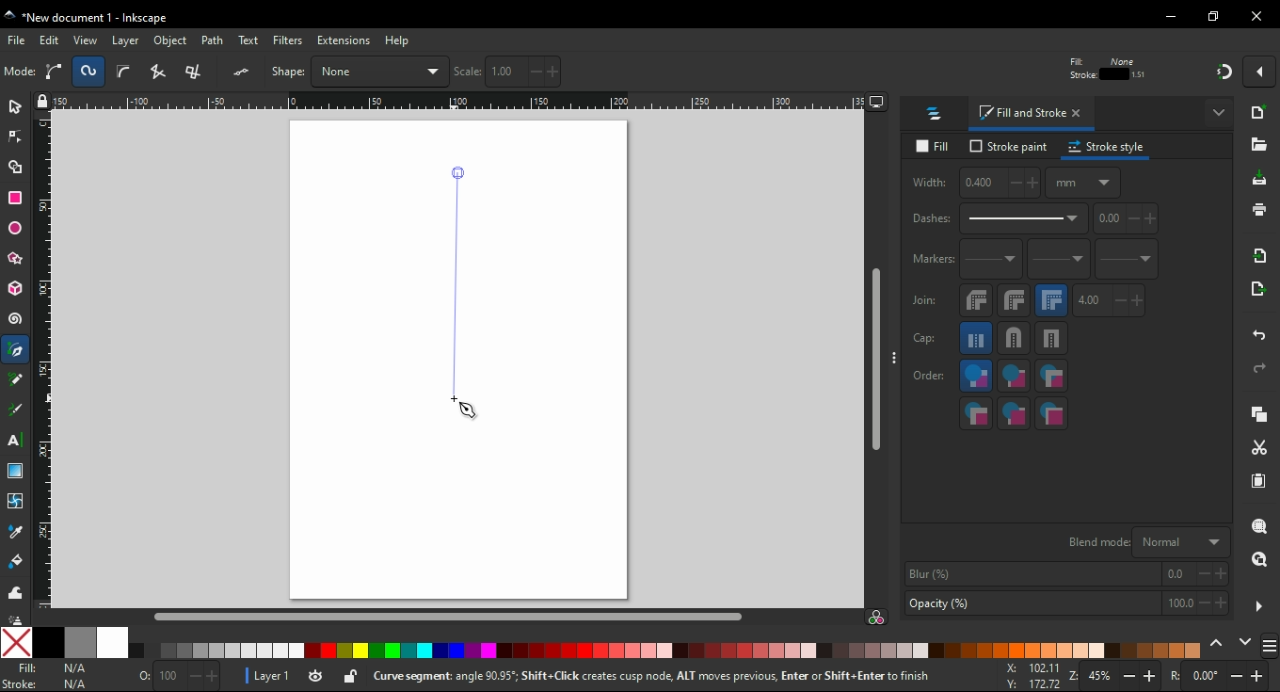 The height and width of the screenshot is (692, 1280). Describe the element at coordinates (1014, 413) in the screenshot. I see `stroke markers` at that location.